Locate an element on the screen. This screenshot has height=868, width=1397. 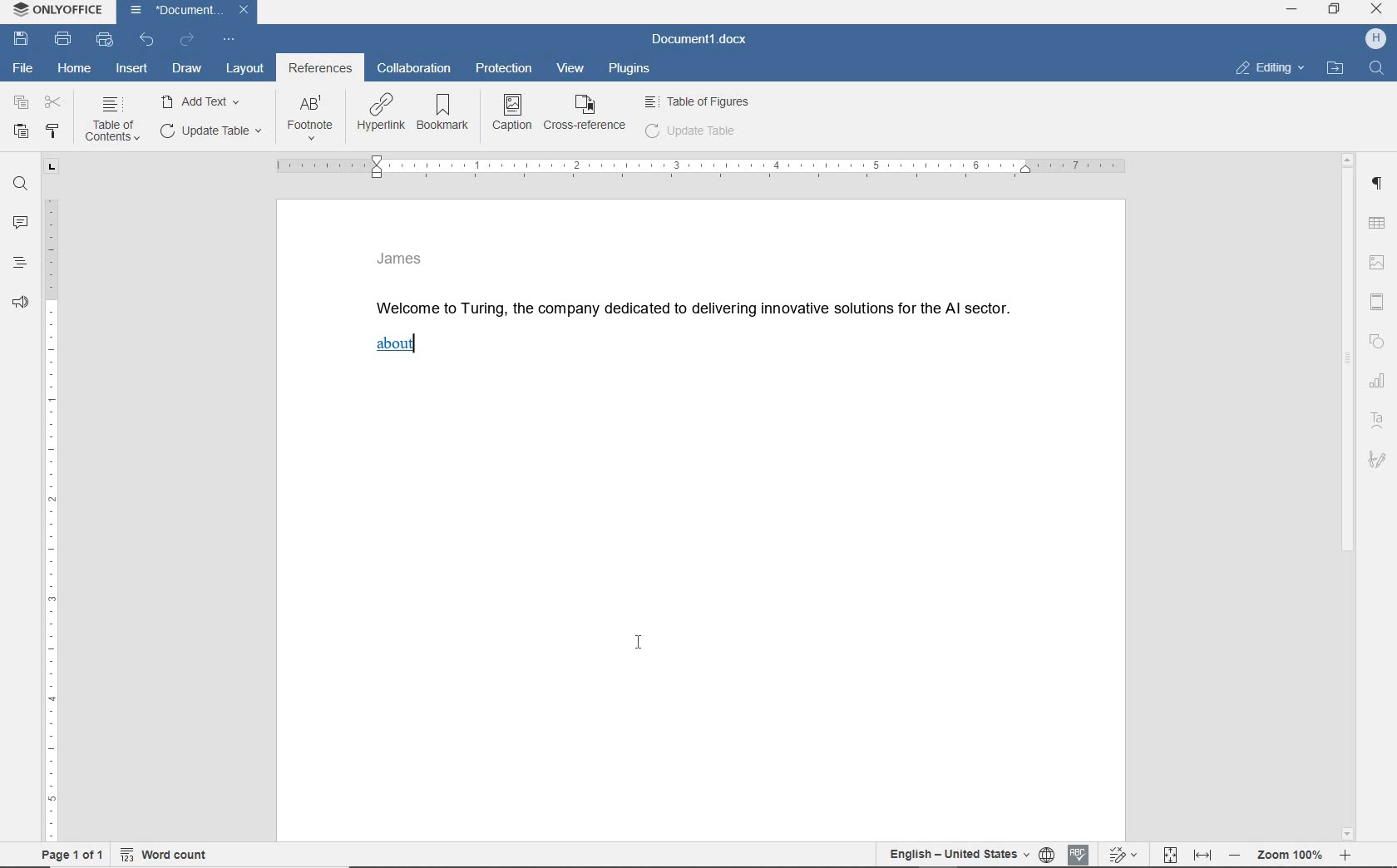
comments is located at coordinates (22, 223).